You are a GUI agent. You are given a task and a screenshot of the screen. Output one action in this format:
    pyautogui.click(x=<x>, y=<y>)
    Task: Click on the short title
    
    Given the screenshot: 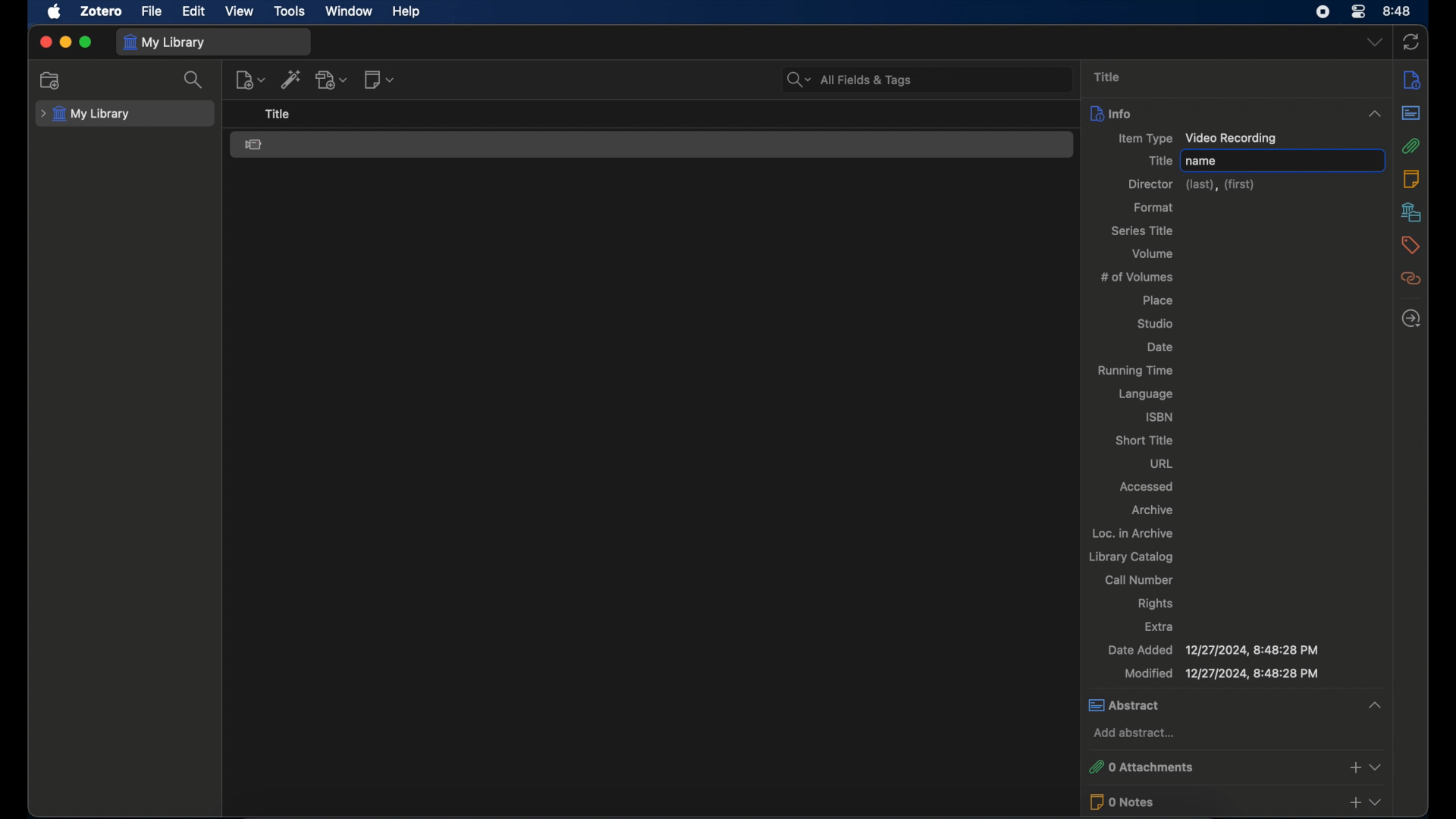 What is the action you would take?
    pyautogui.click(x=1144, y=441)
    